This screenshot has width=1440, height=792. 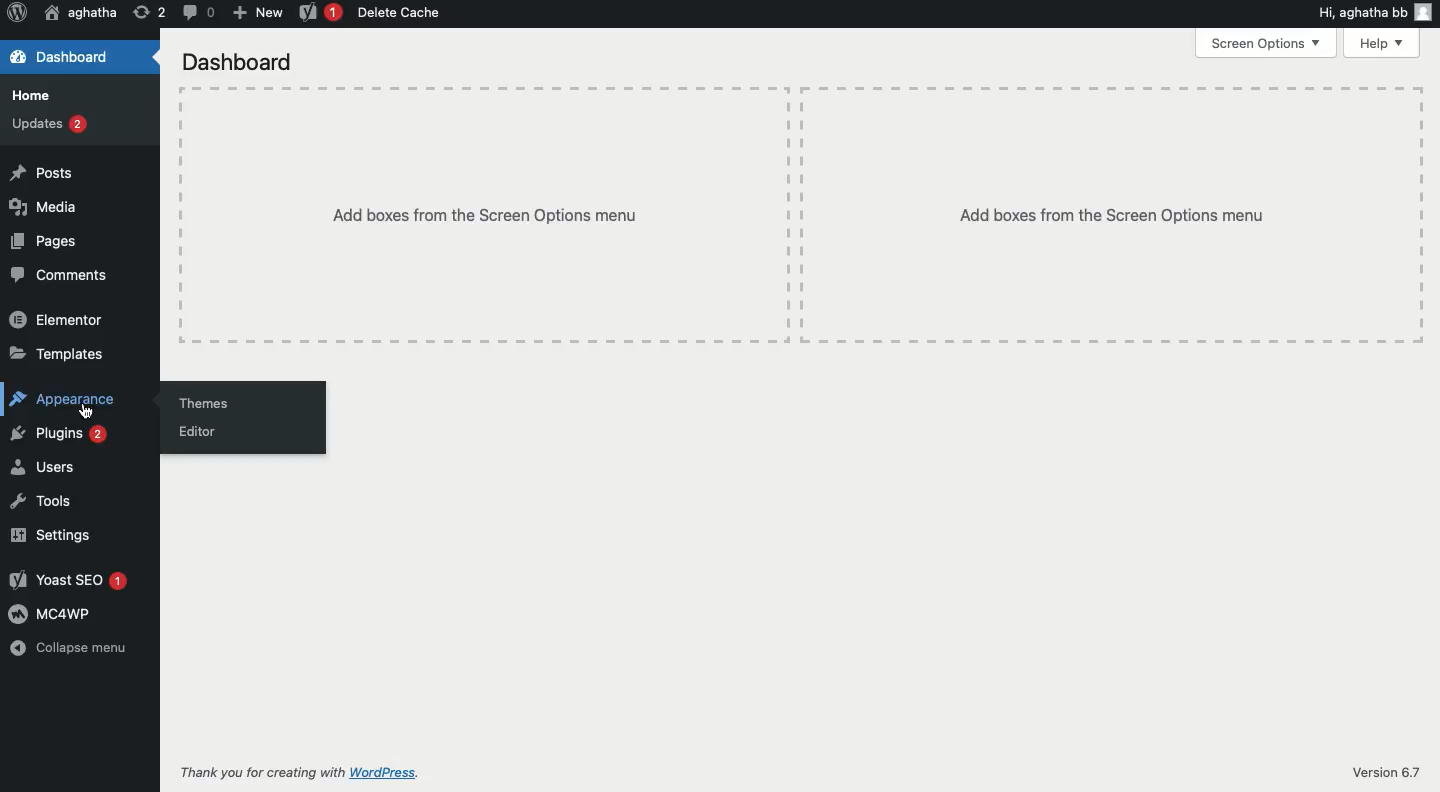 I want to click on Themes, so click(x=211, y=402).